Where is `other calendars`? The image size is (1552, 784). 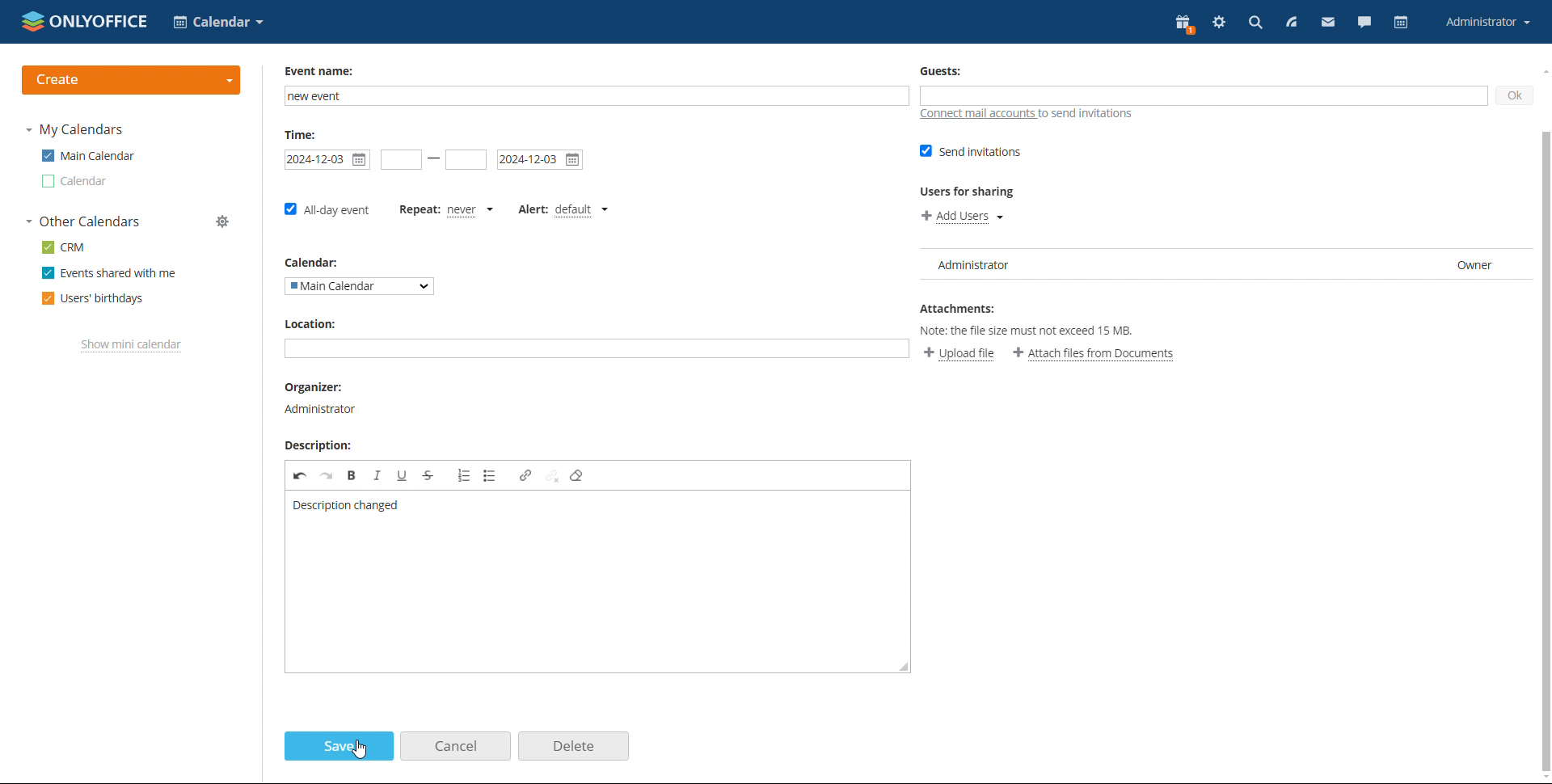 other calendars is located at coordinates (82, 221).